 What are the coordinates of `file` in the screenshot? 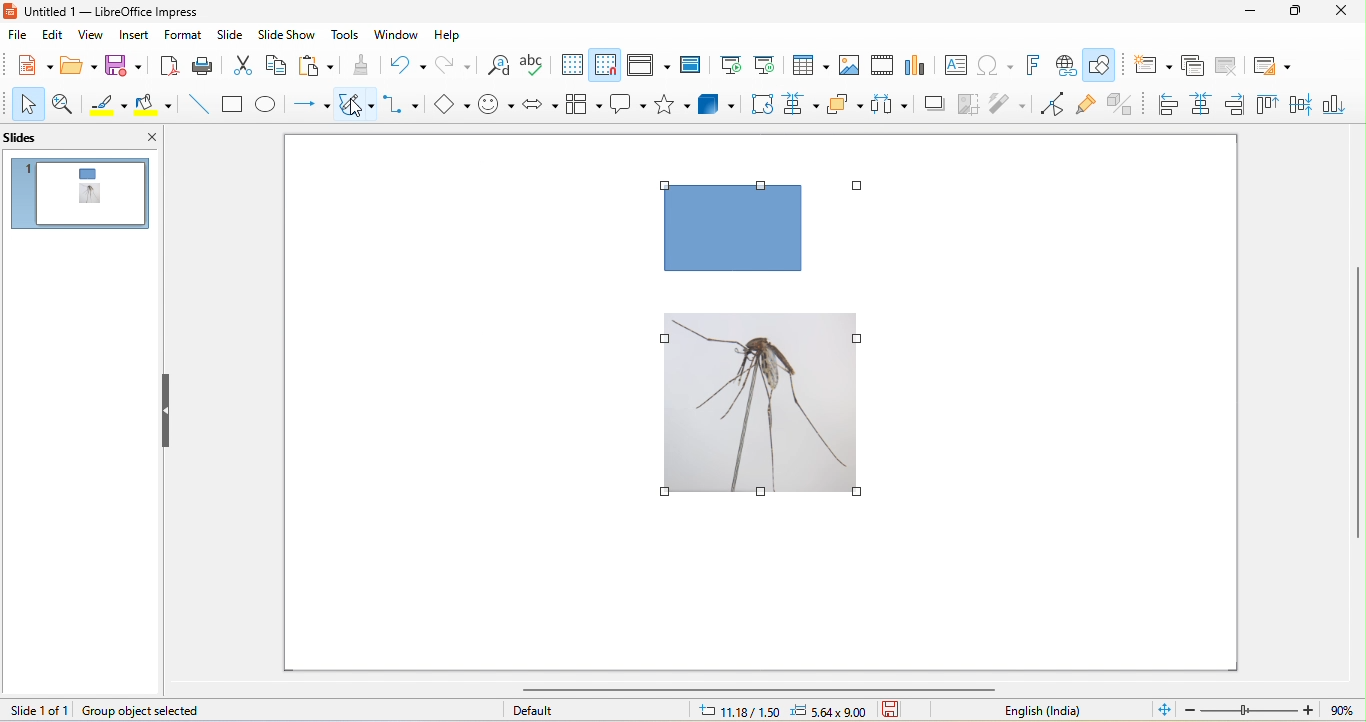 It's located at (18, 36).